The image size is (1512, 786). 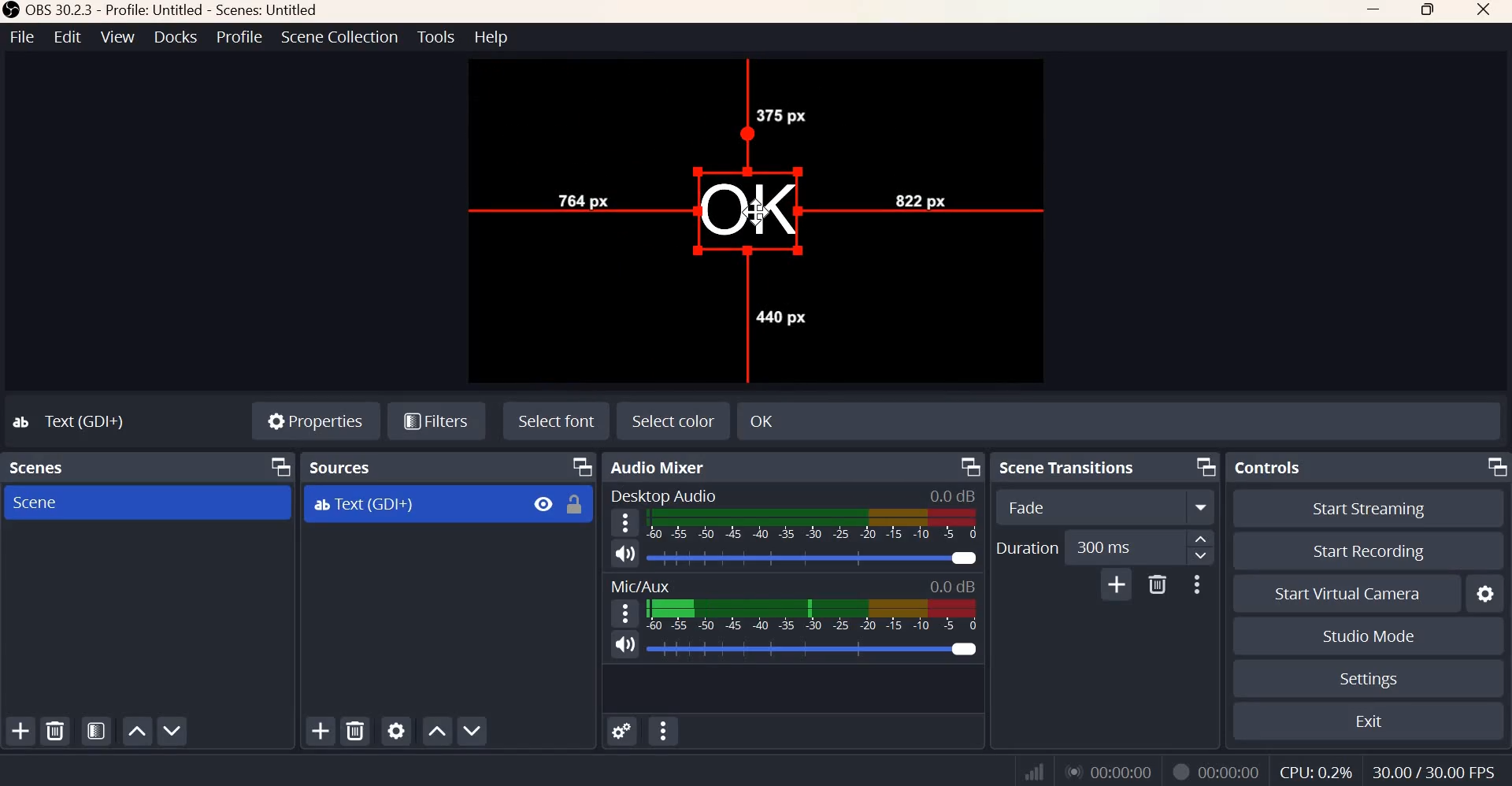 I want to click on Add Transition, so click(x=1117, y=584).